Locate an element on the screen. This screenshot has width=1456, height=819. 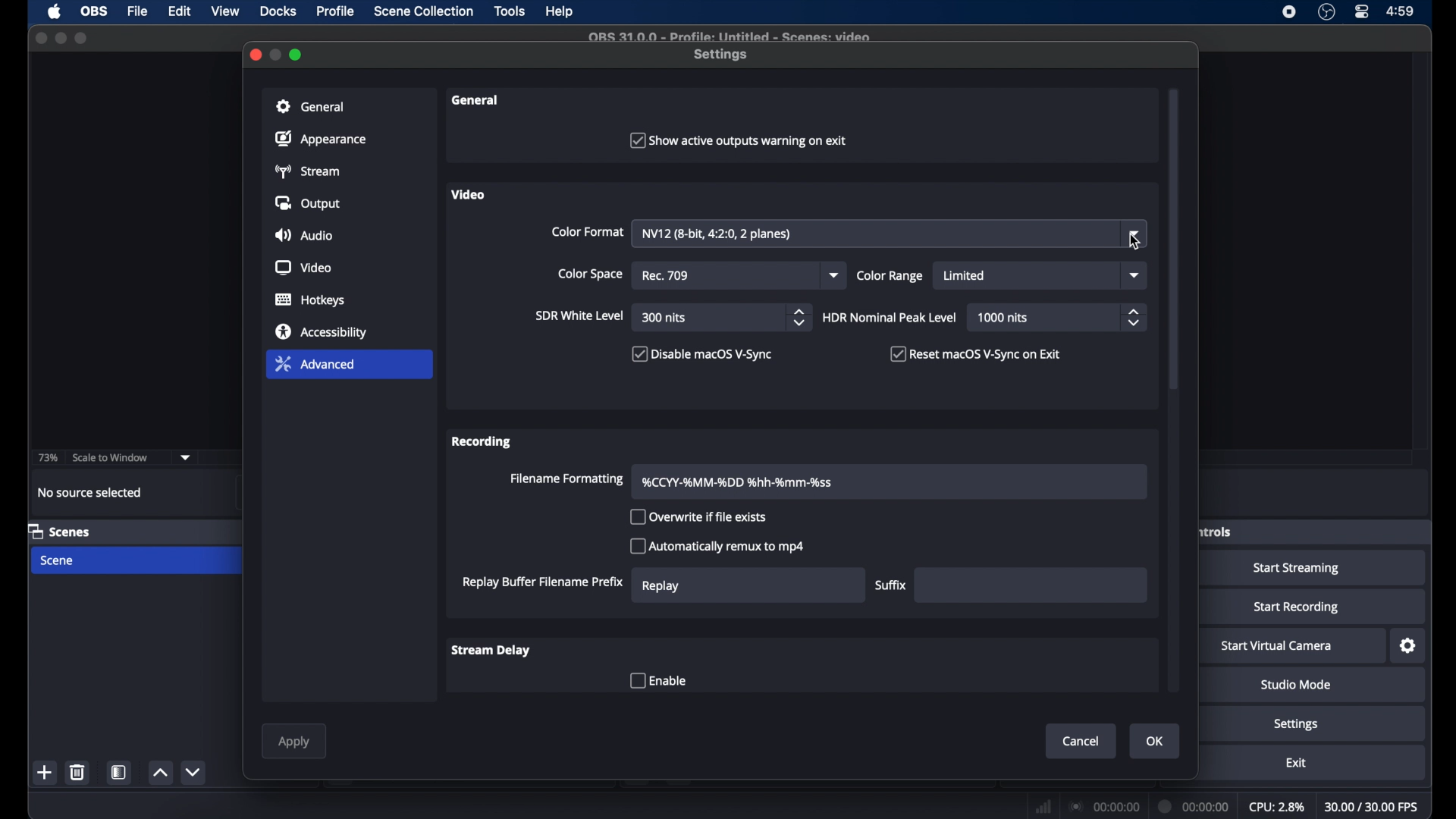
scale to window is located at coordinates (111, 457).